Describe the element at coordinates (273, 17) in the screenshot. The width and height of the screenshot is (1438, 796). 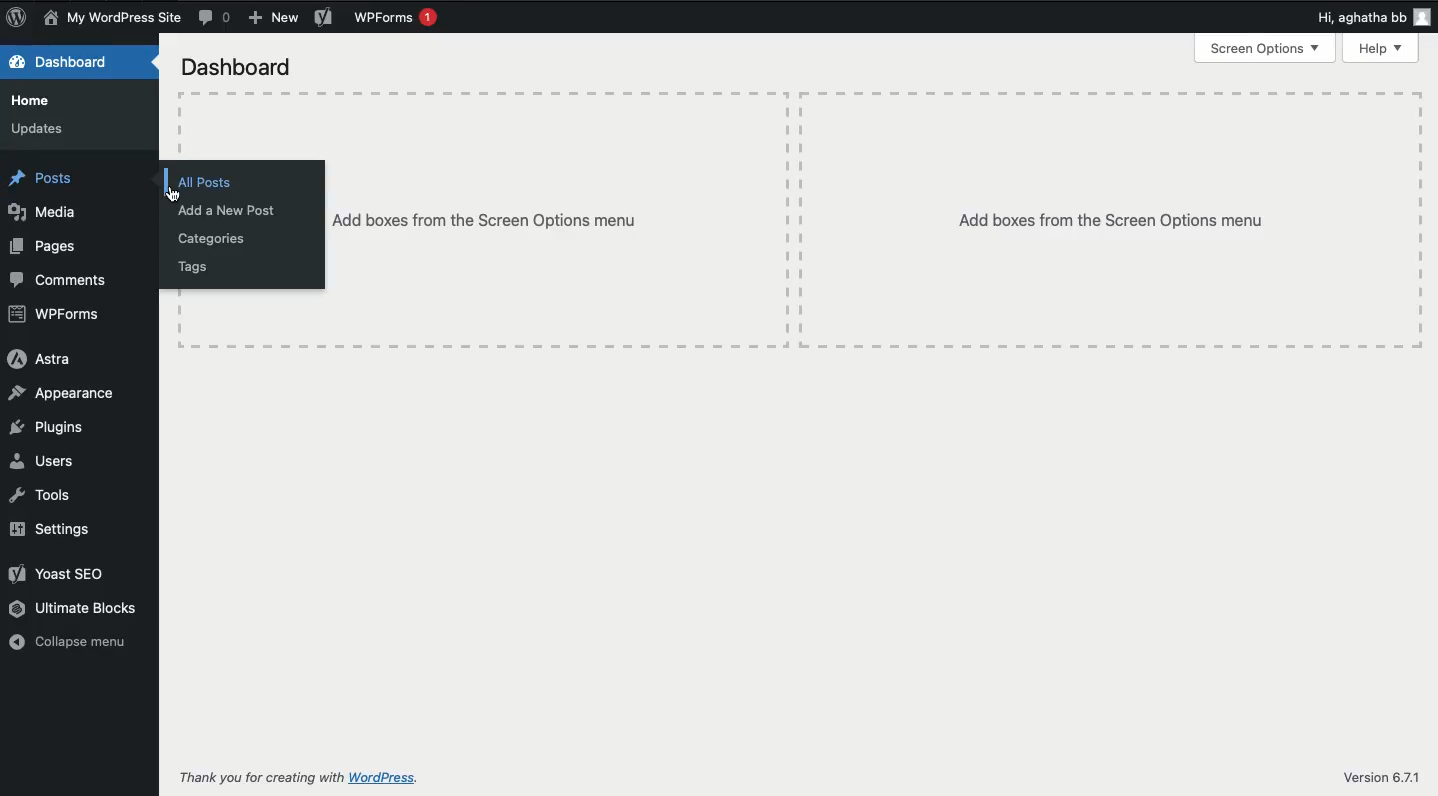
I see `New` at that location.